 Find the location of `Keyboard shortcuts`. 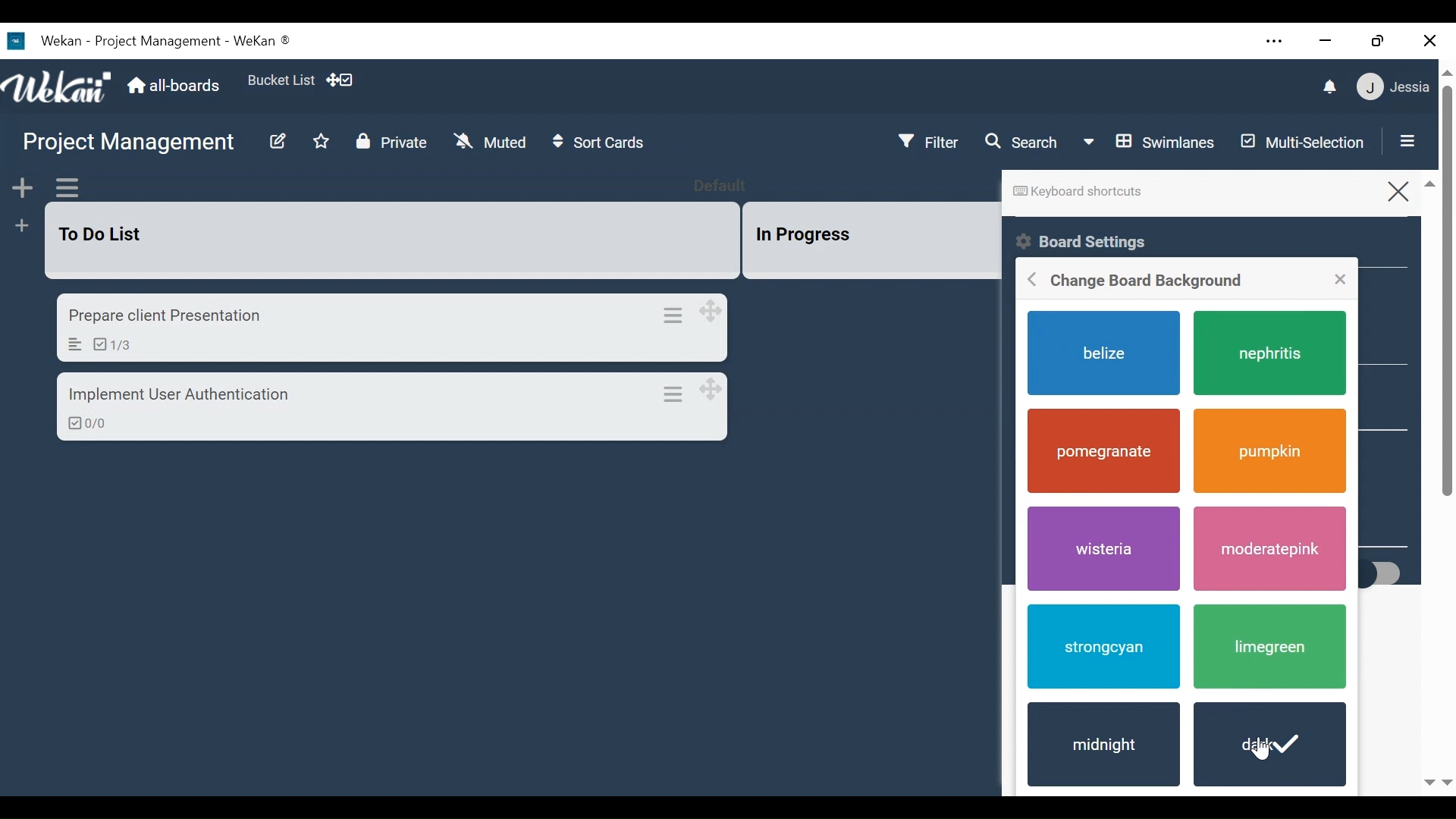

Keyboard shortcuts is located at coordinates (1076, 192).